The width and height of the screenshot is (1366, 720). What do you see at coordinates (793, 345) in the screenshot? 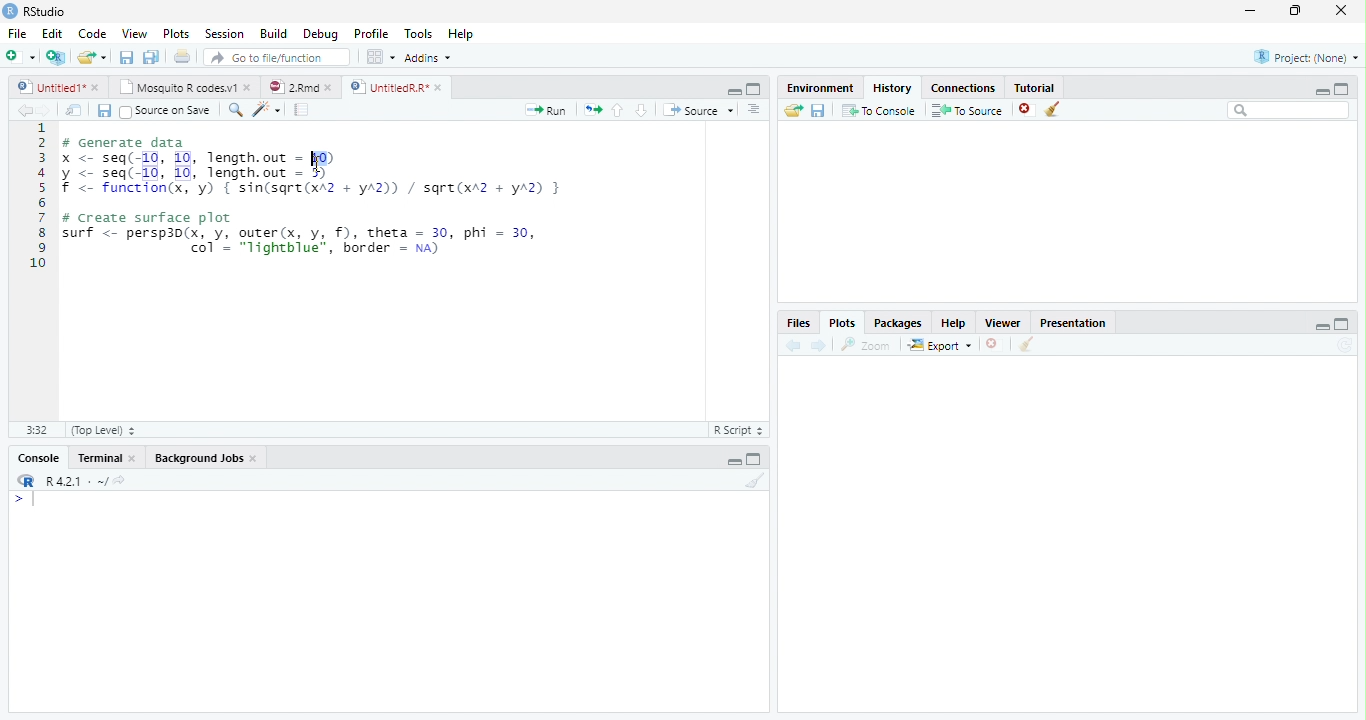
I see `Previous plot` at bounding box center [793, 345].